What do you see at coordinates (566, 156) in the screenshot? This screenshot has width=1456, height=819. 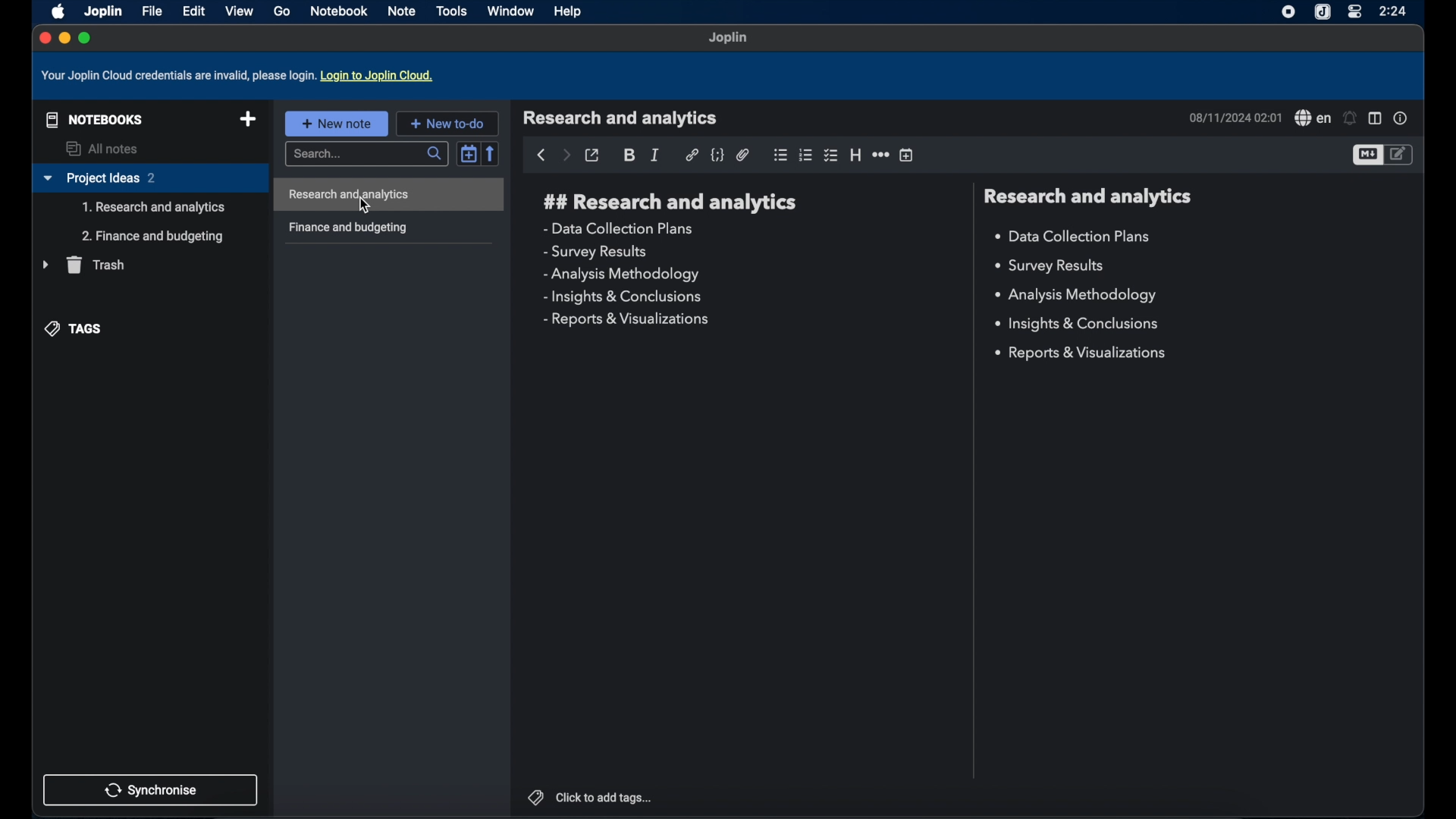 I see `forward` at bounding box center [566, 156].